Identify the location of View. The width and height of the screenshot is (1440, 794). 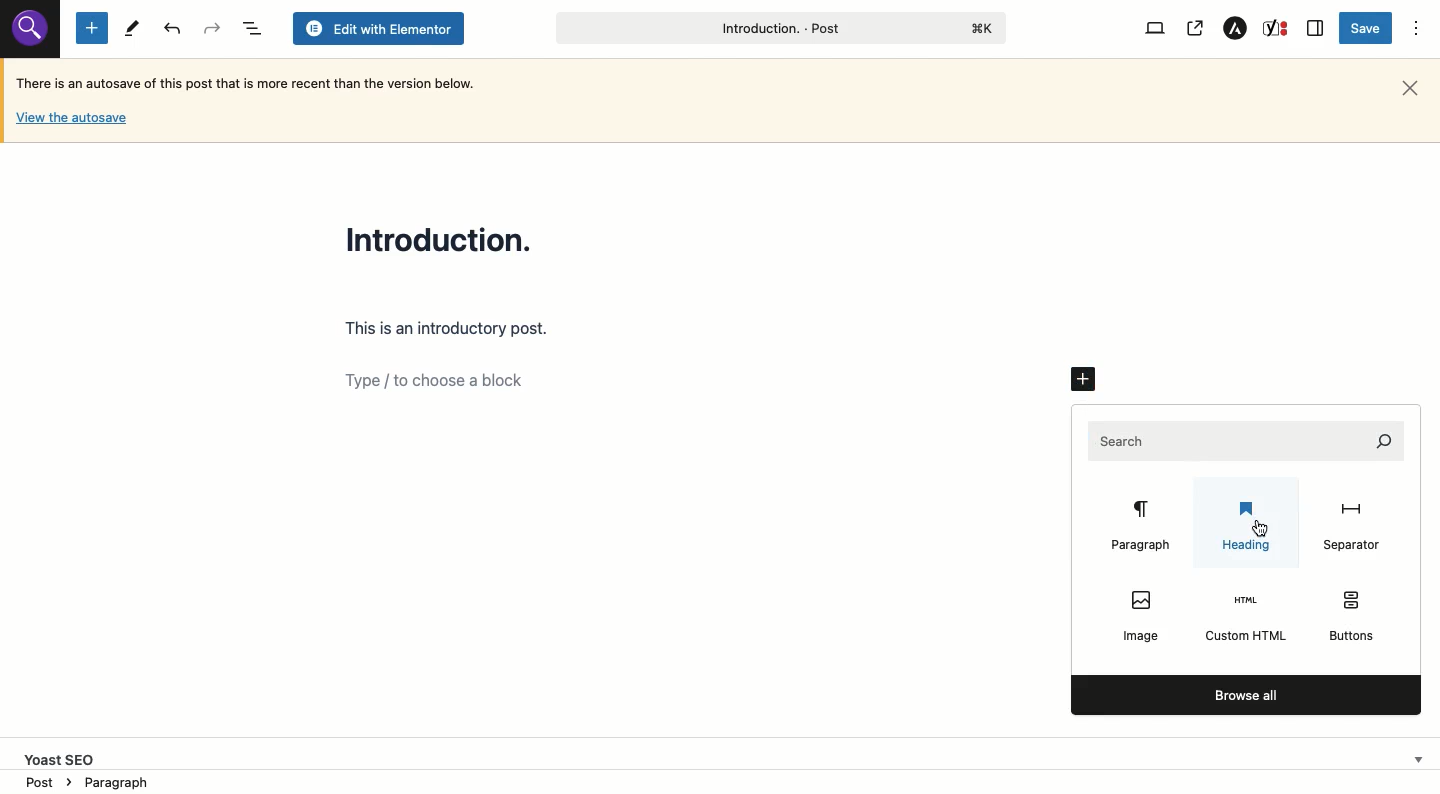
(1158, 29).